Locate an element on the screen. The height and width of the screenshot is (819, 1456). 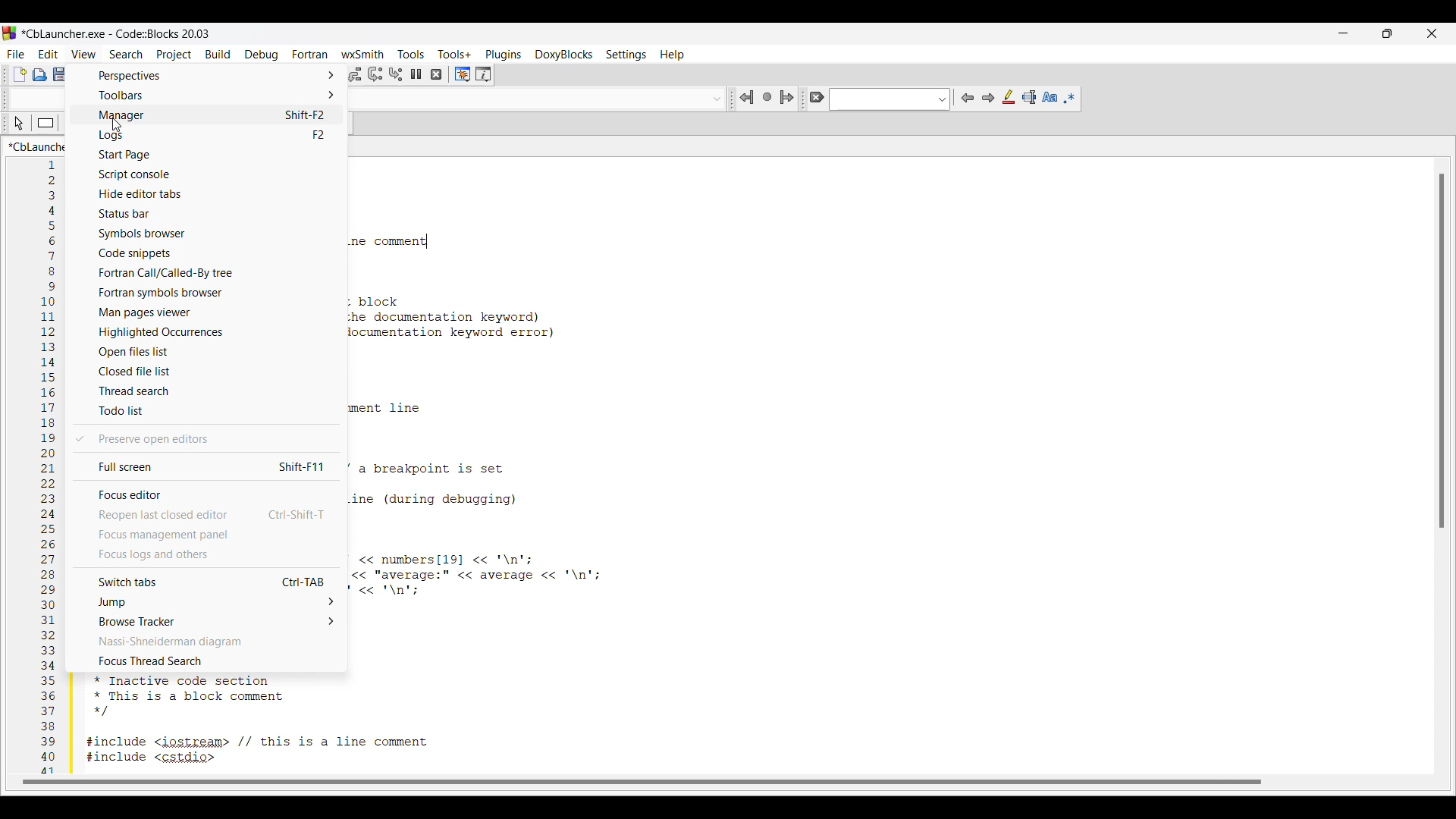
Clear is located at coordinates (816, 97).